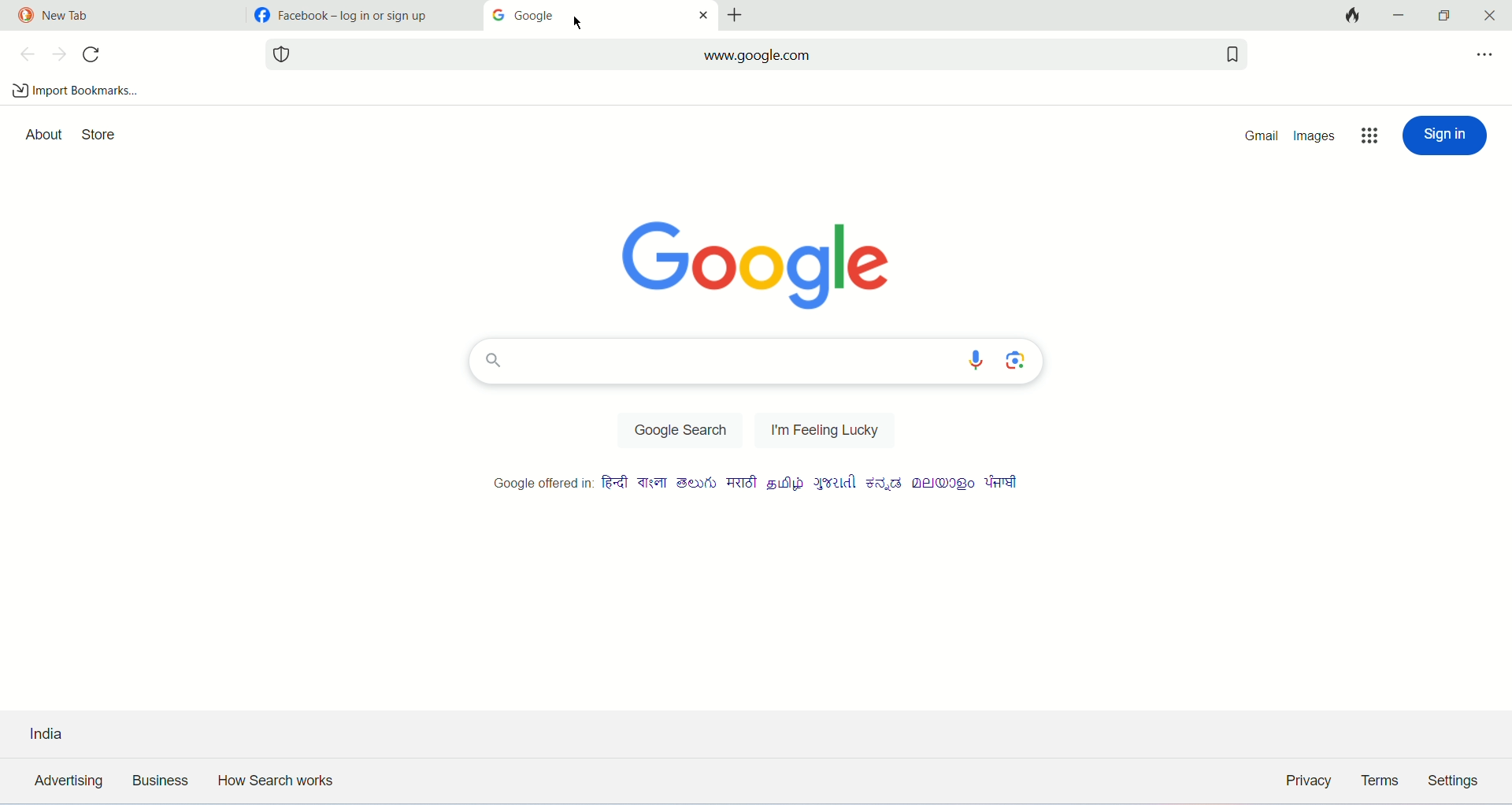 The image size is (1512, 805). Describe the element at coordinates (1399, 15) in the screenshot. I see `minimize` at that location.